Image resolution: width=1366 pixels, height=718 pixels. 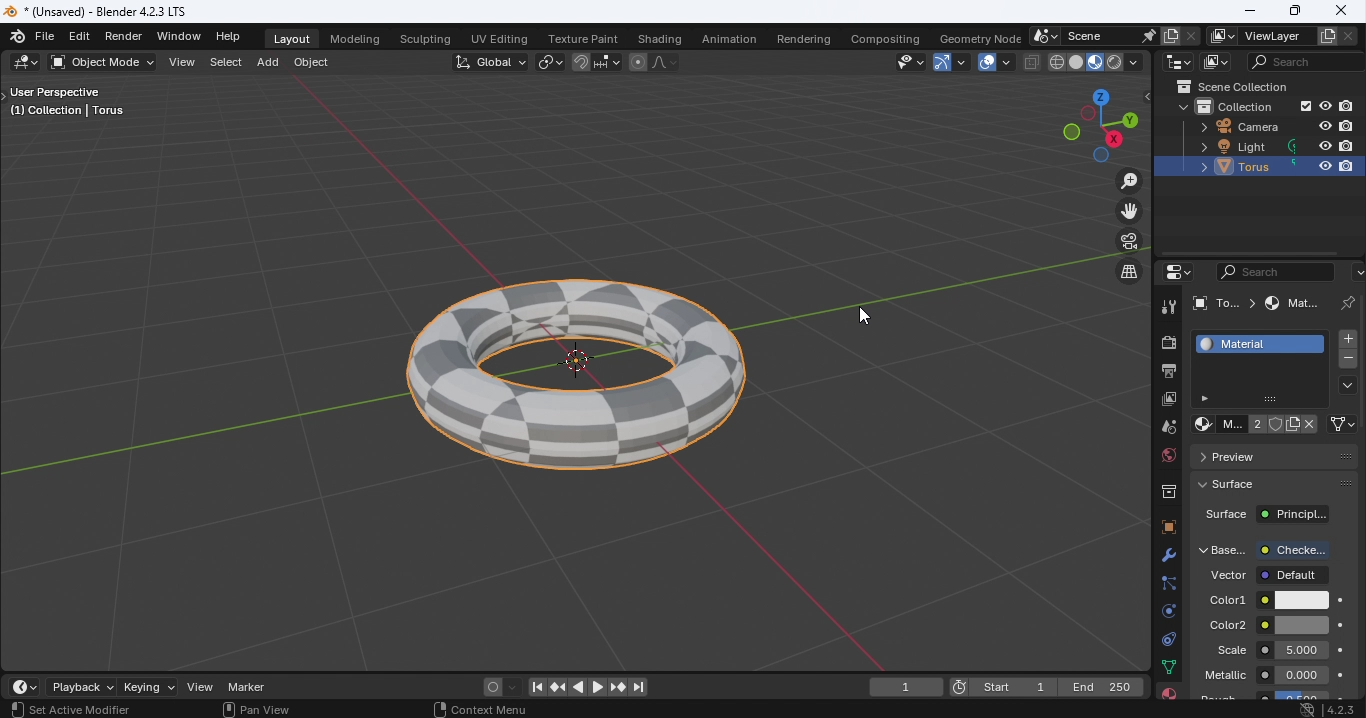 What do you see at coordinates (1340, 426) in the screenshot?
I see `Link` at bounding box center [1340, 426].